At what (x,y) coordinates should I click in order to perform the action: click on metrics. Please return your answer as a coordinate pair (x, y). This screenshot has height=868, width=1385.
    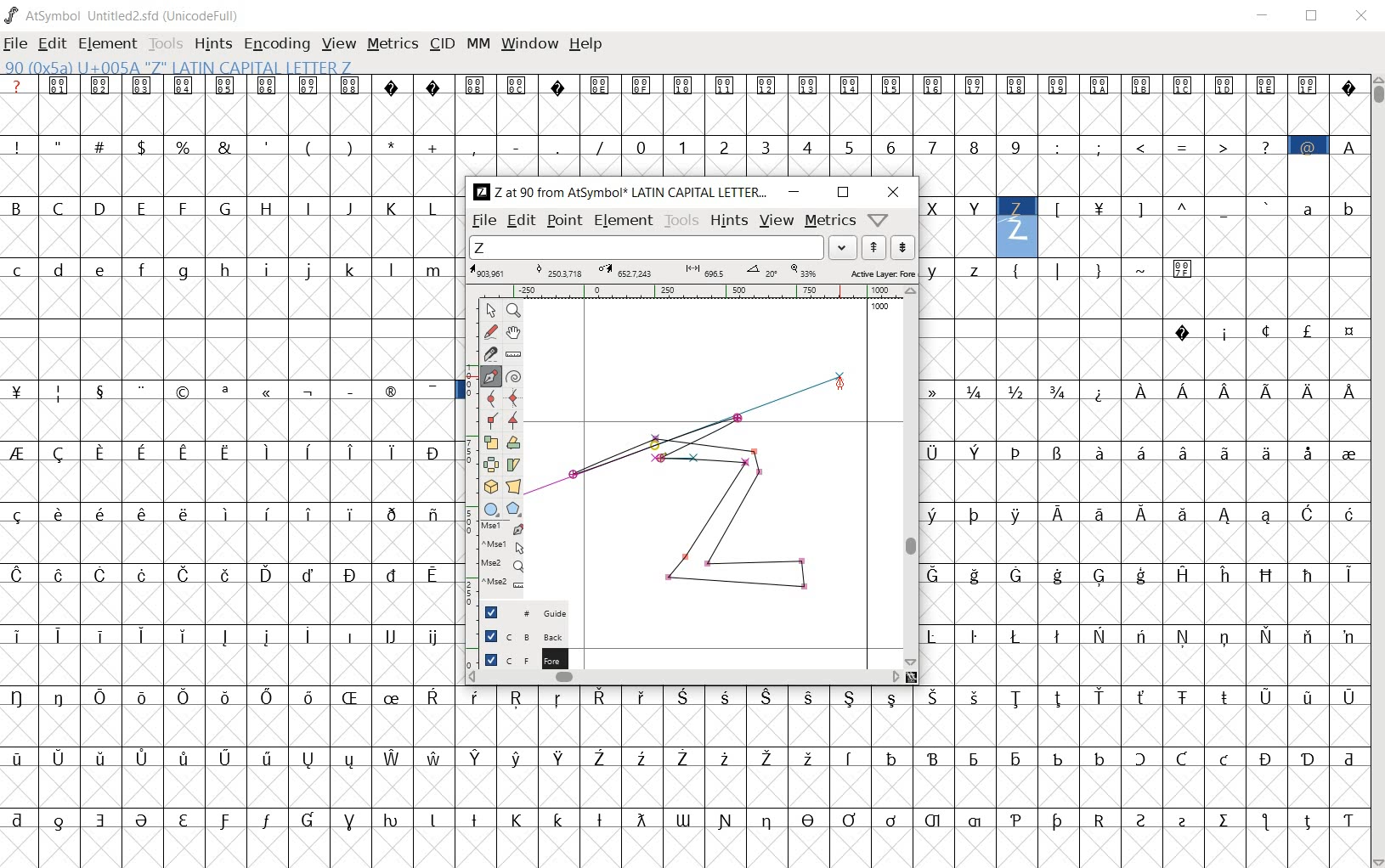
    Looking at the image, I should click on (394, 45).